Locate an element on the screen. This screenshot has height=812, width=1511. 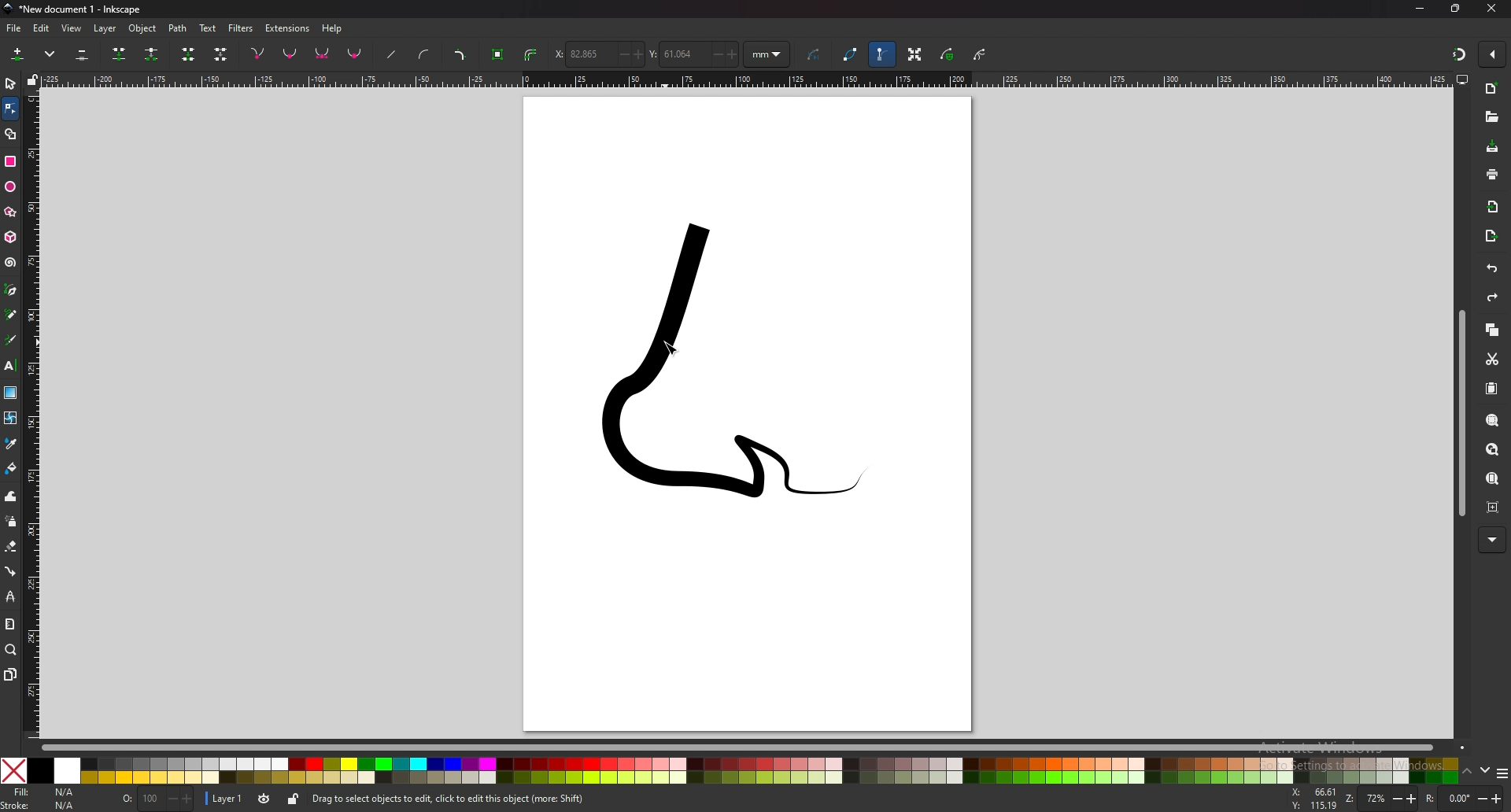
edit is located at coordinates (41, 28).